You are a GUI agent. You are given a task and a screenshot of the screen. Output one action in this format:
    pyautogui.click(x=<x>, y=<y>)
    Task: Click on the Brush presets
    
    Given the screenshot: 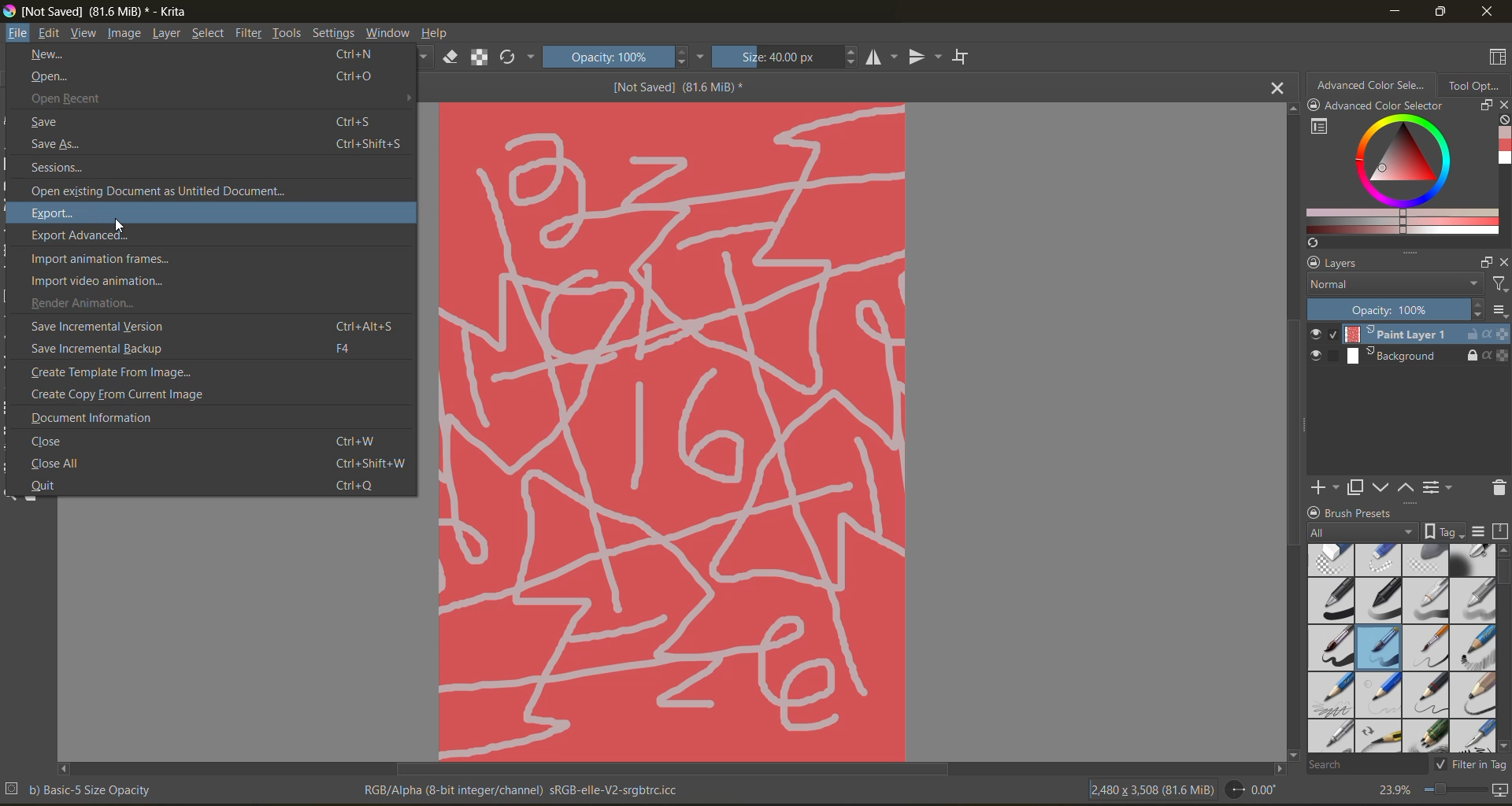 What is the action you would take?
    pyautogui.click(x=1366, y=511)
    